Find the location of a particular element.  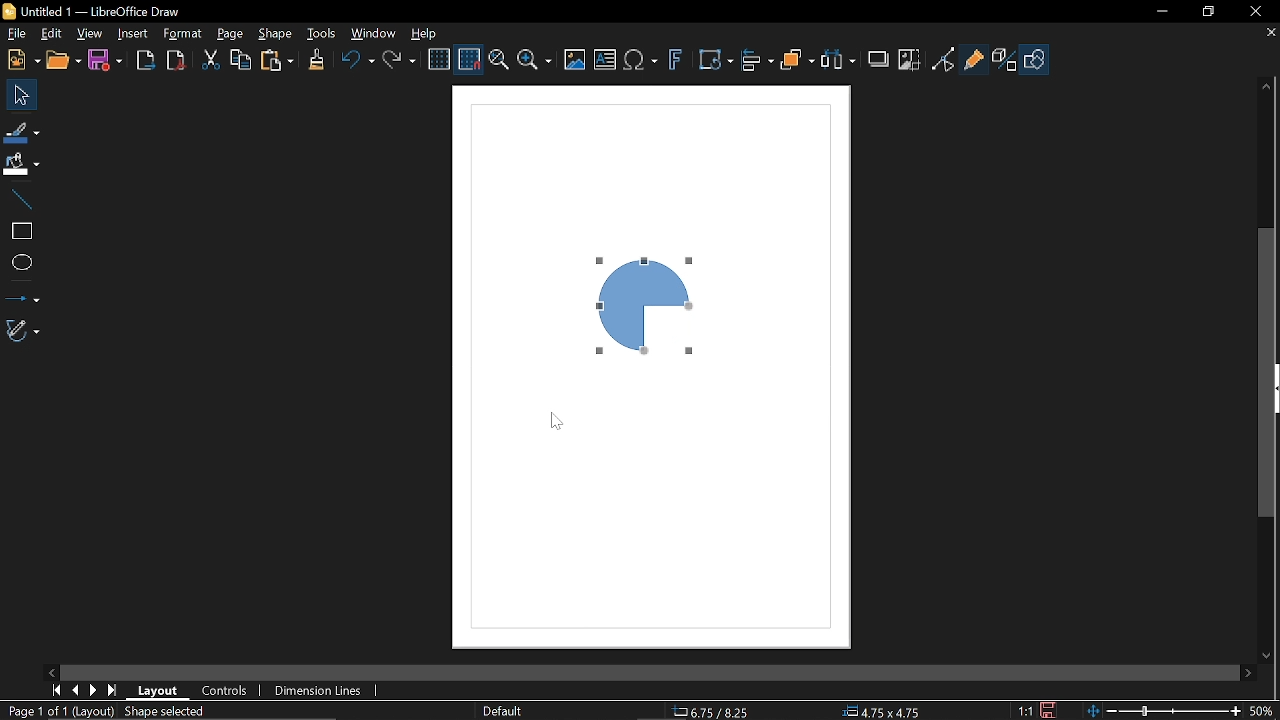

Help is located at coordinates (430, 32).